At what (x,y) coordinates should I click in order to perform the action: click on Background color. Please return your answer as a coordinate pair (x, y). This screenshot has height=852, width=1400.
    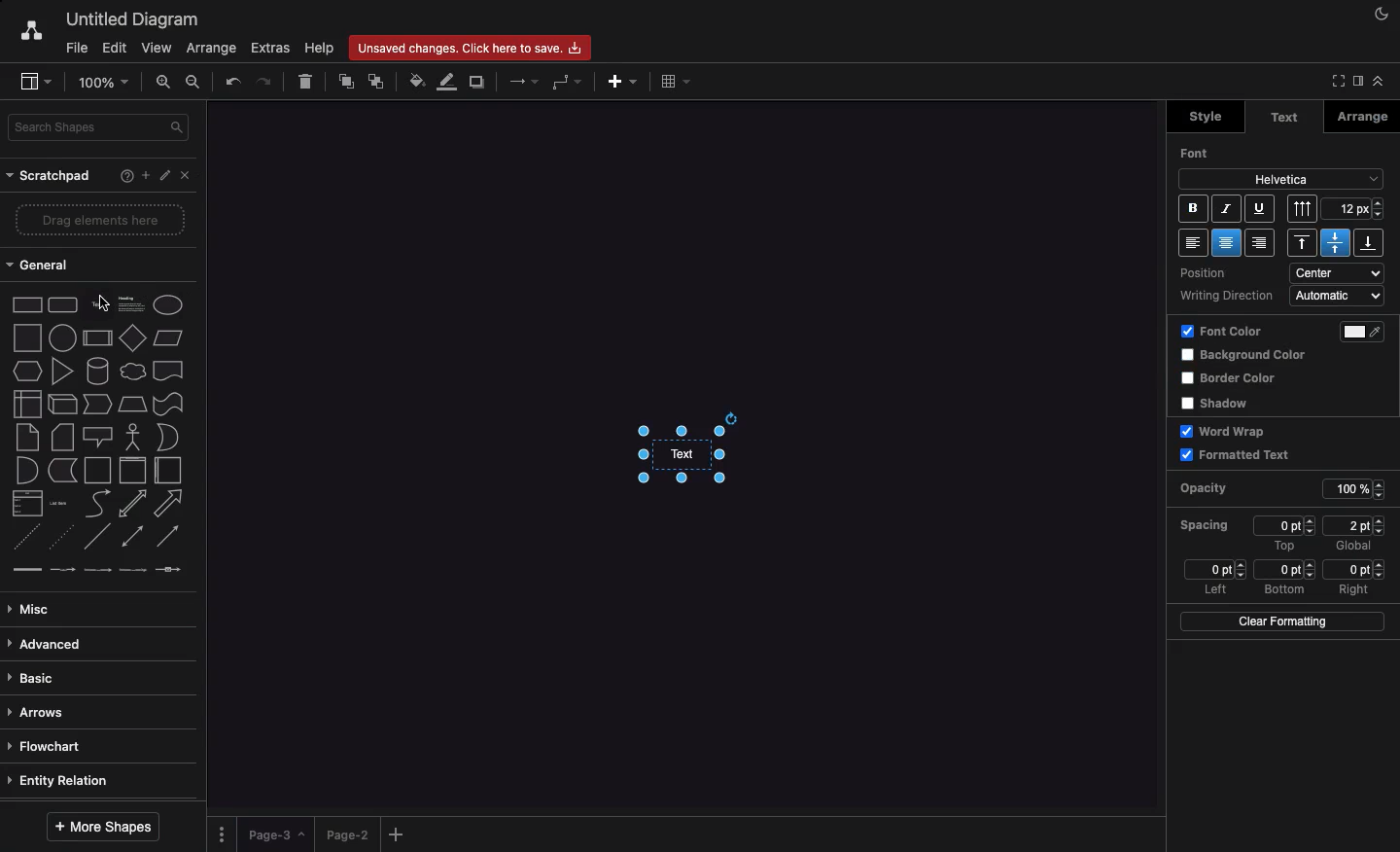
    Looking at the image, I should click on (1247, 356).